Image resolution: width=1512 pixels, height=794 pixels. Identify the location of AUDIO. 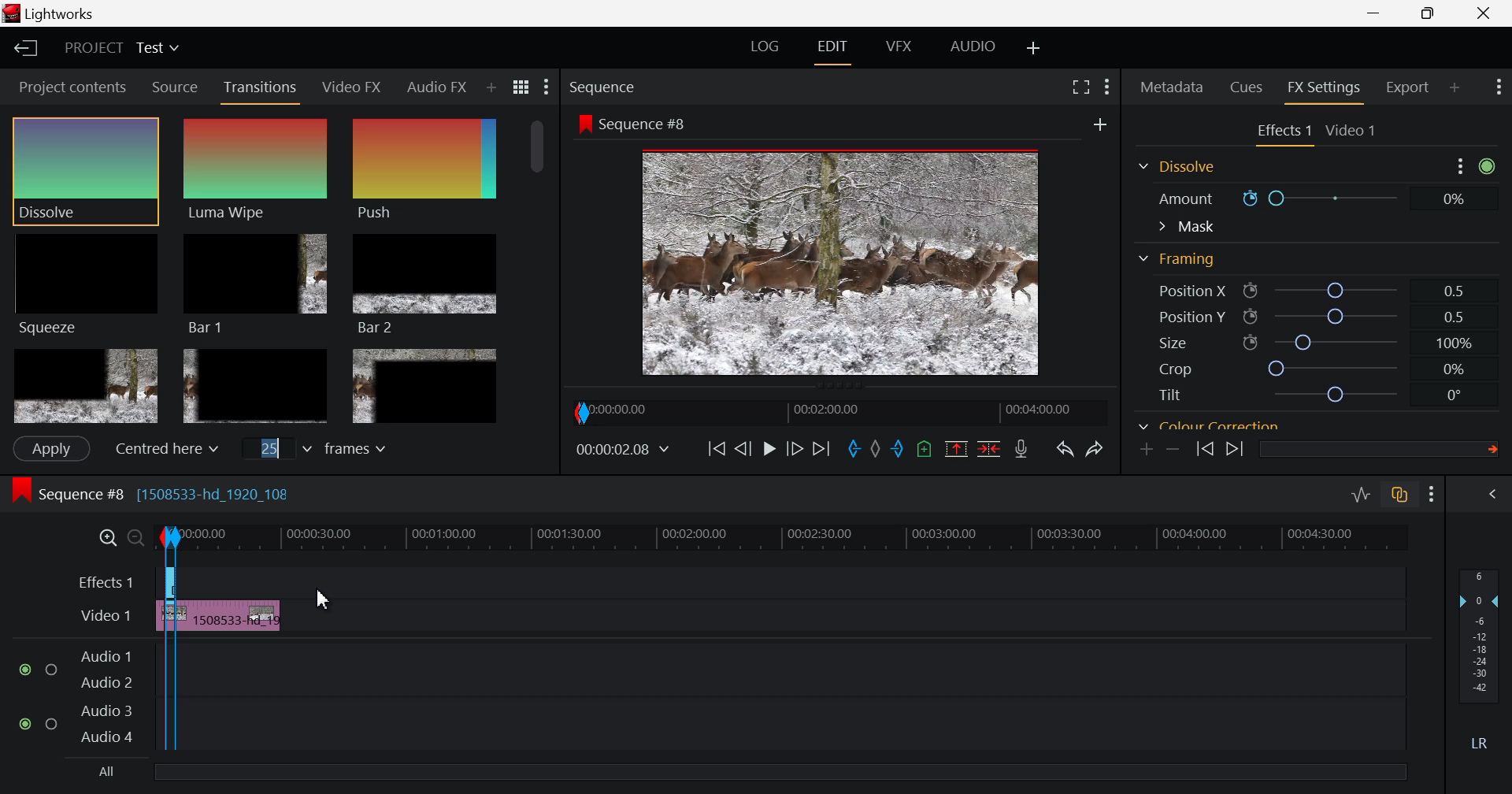
(974, 46).